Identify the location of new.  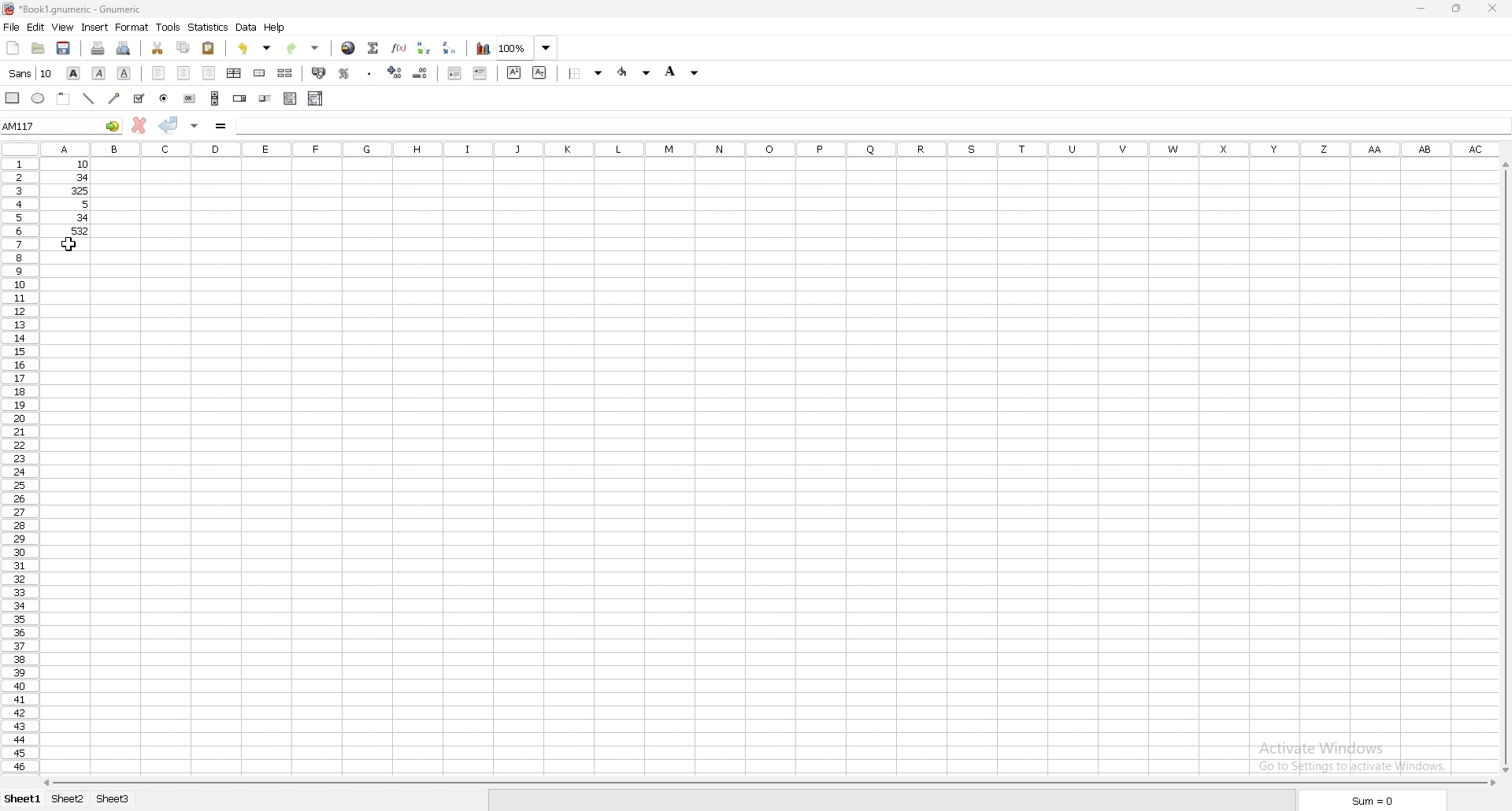
(14, 47).